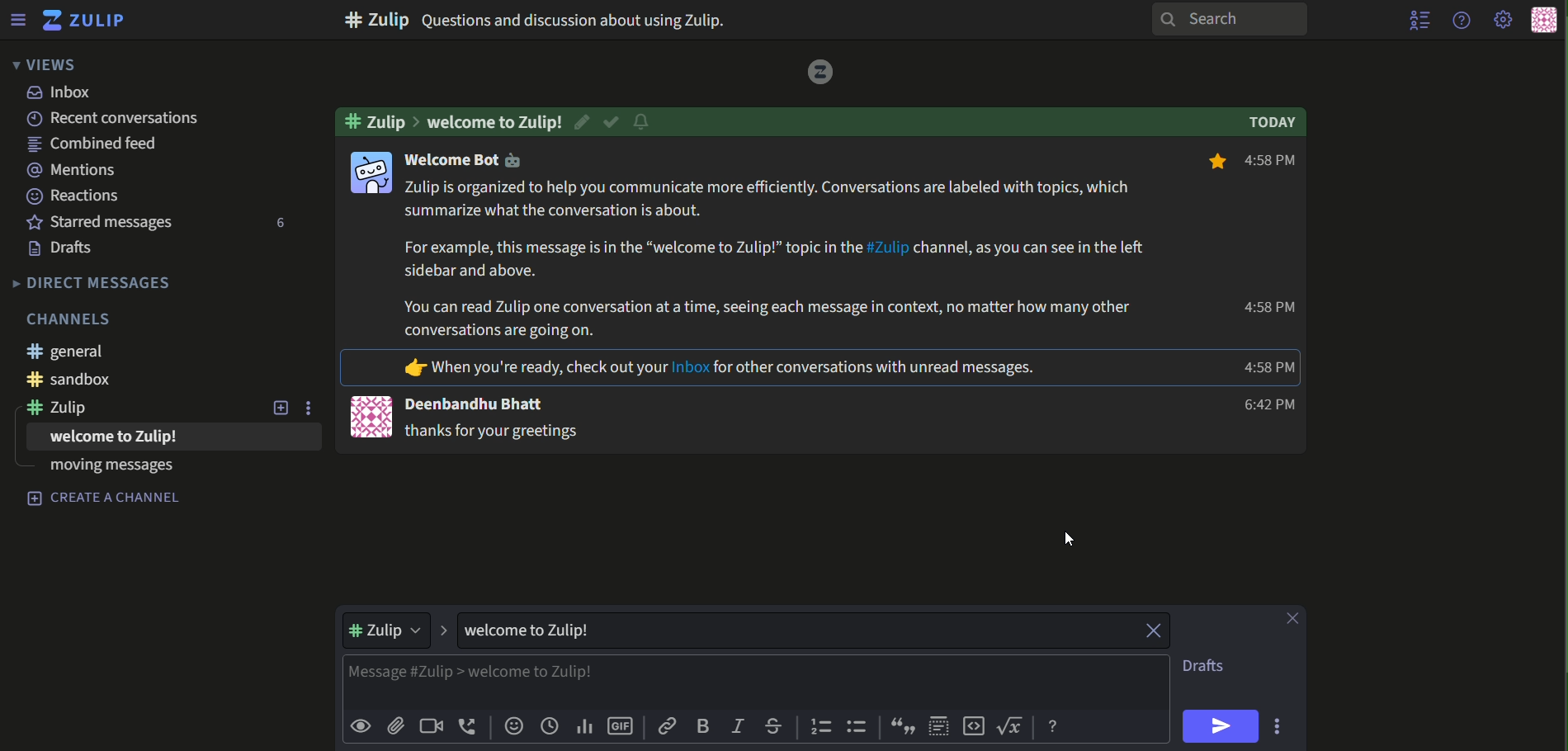 The width and height of the screenshot is (1568, 751). Describe the element at coordinates (63, 93) in the screenshot. I see `text` at that location.